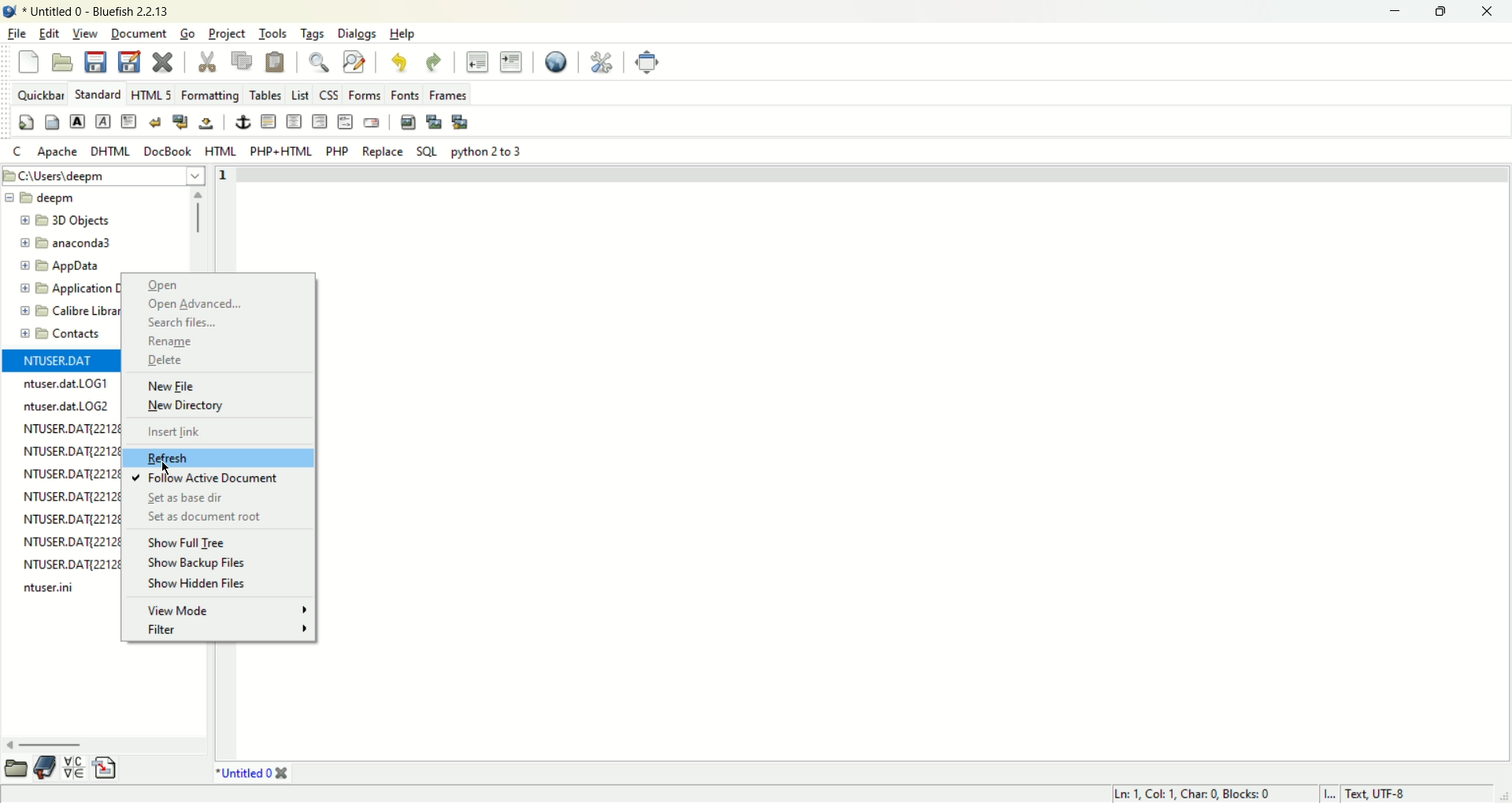 The height and width of the screenshot is (803, 1512). I want to click on rename, so click(207, 342).